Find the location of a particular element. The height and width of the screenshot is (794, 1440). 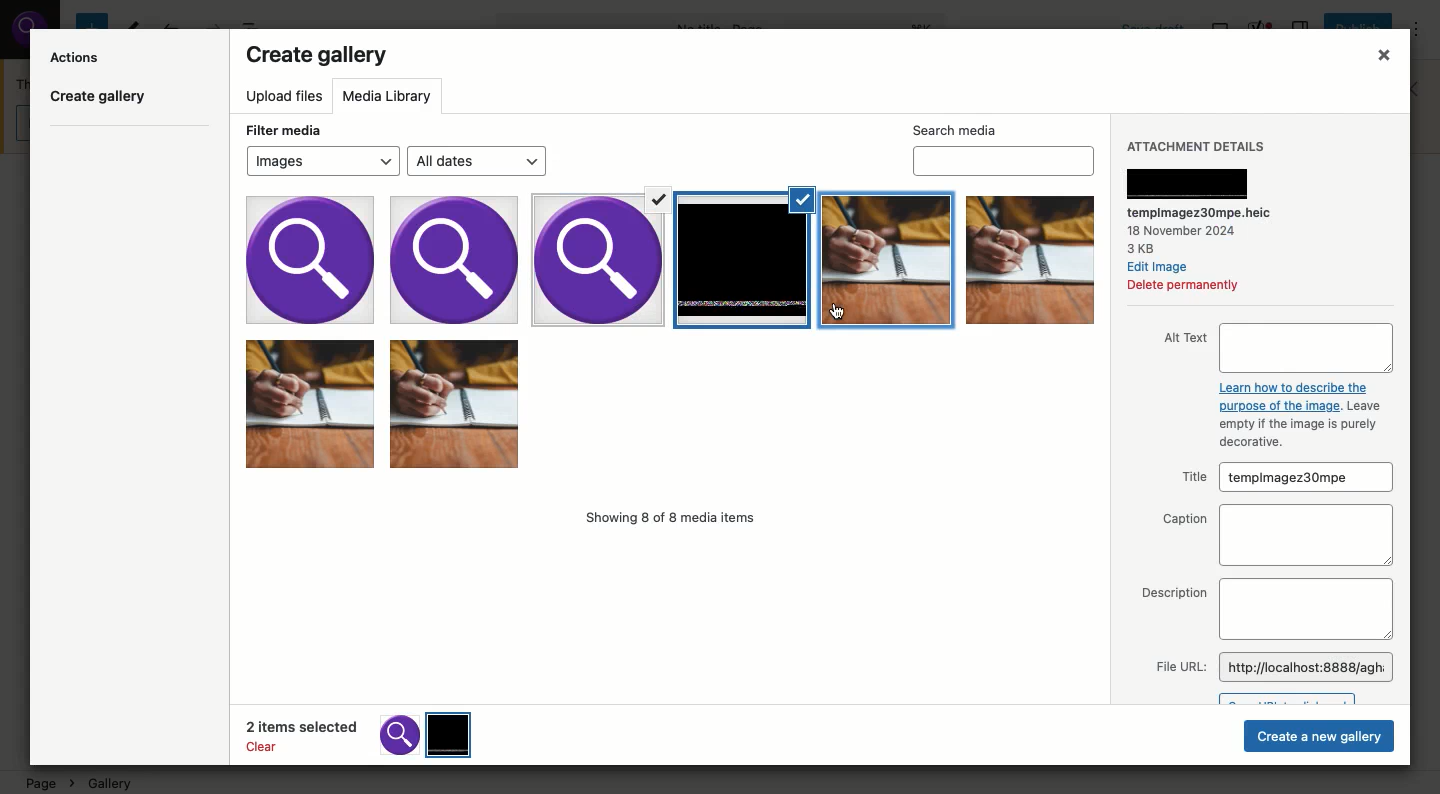

Filter media  is located at coordinates (282, 128).